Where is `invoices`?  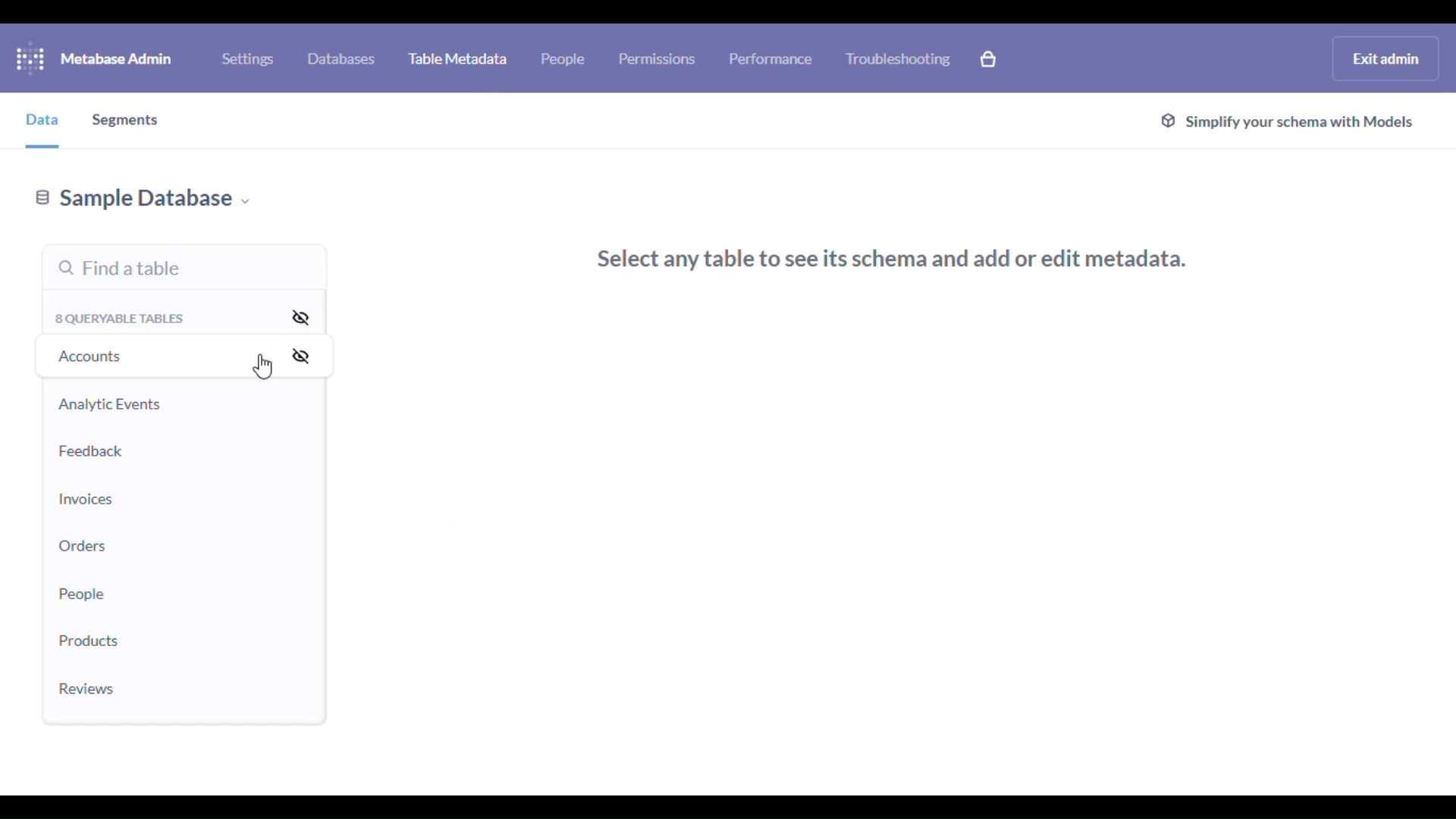
invoices is located at coordinates (86, 500).